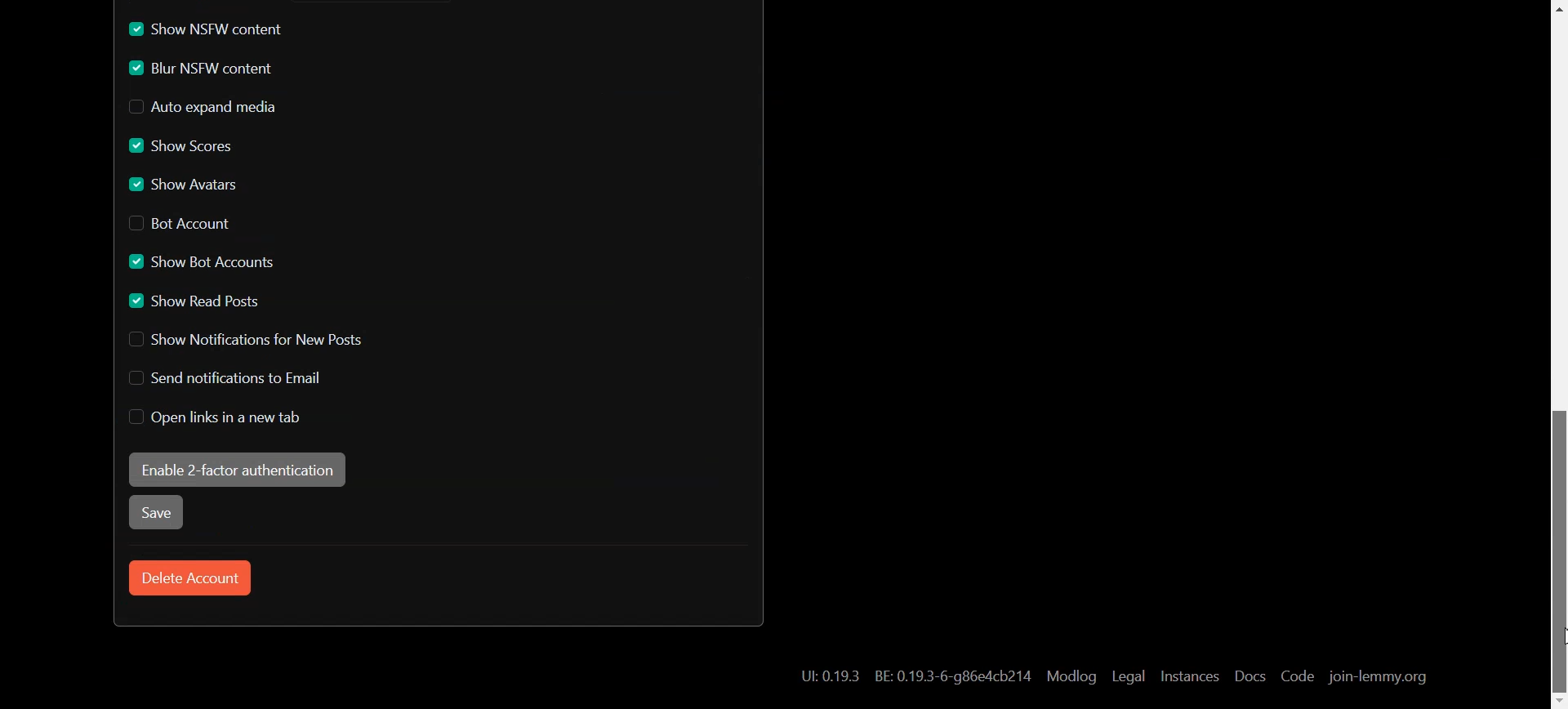 The width and height of the screenshot is (1568, 709). Describe the element at coordinates (193, 183) in the screenshot. I see `Enable Show Avatars` at that location.